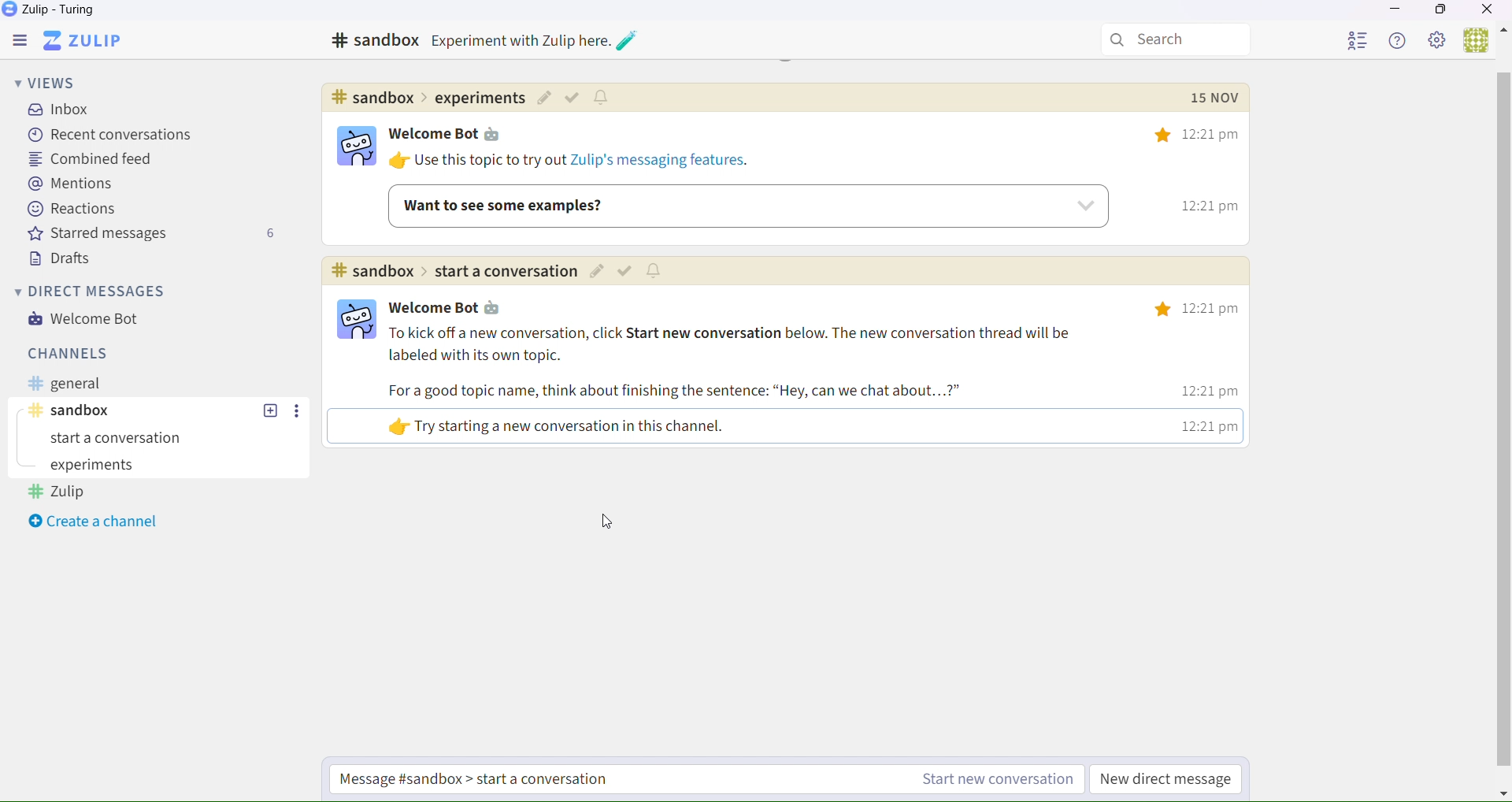  I want to click on Minimize, so click(1395, 12).